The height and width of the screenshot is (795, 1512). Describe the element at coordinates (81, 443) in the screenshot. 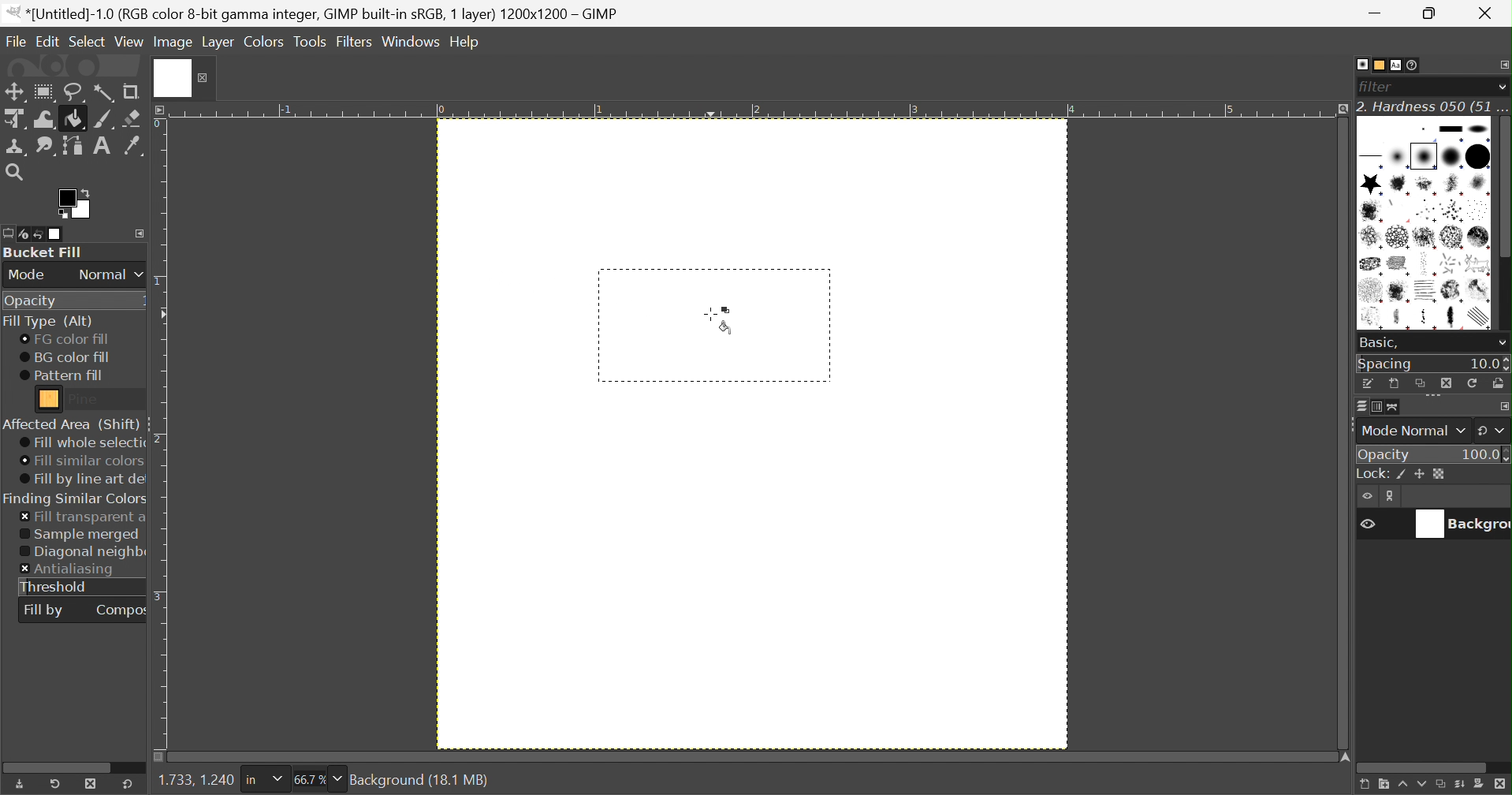

I see `Fill whole selection` at that location.